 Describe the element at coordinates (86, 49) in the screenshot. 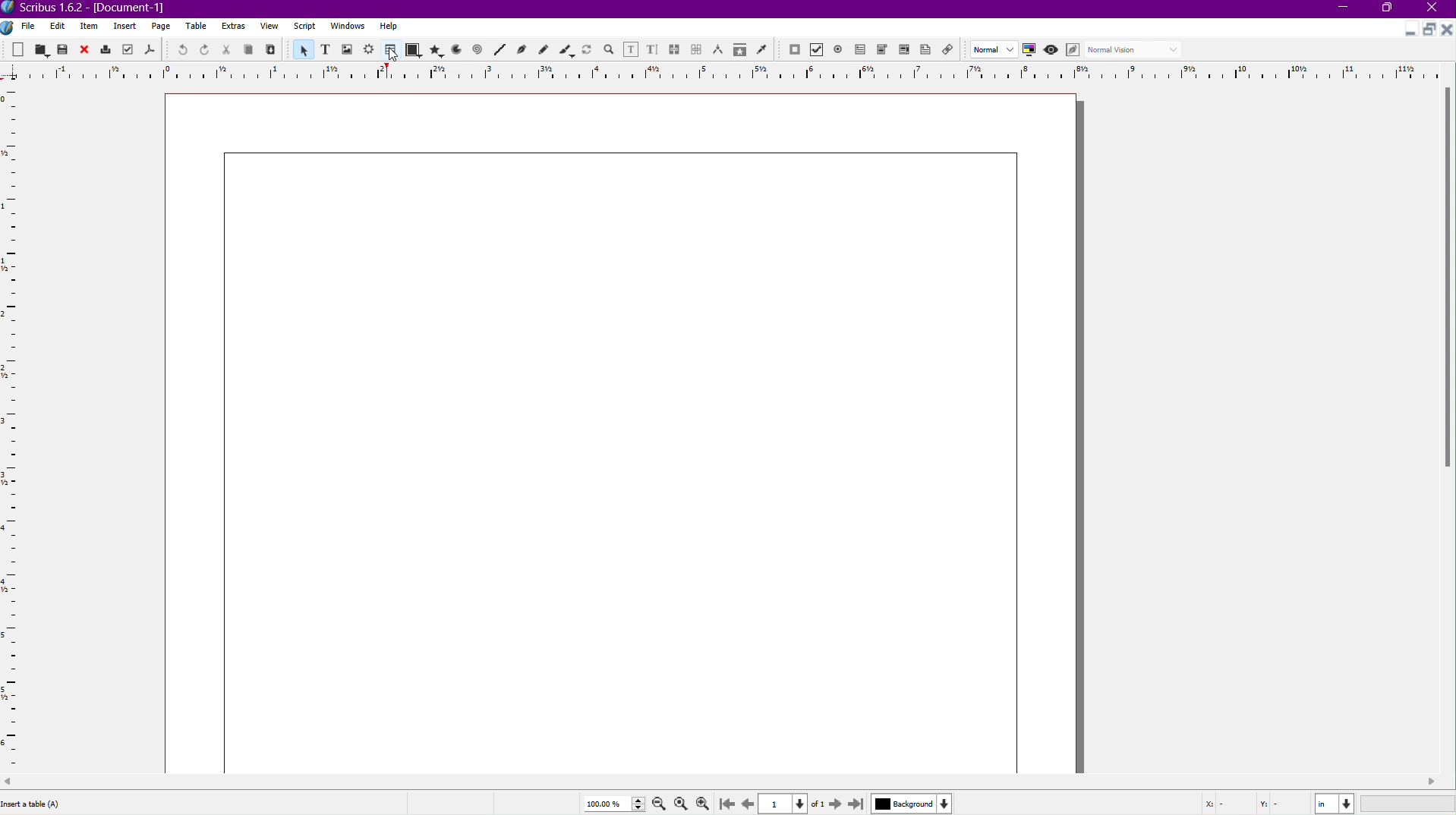

I see `Close` at that location.